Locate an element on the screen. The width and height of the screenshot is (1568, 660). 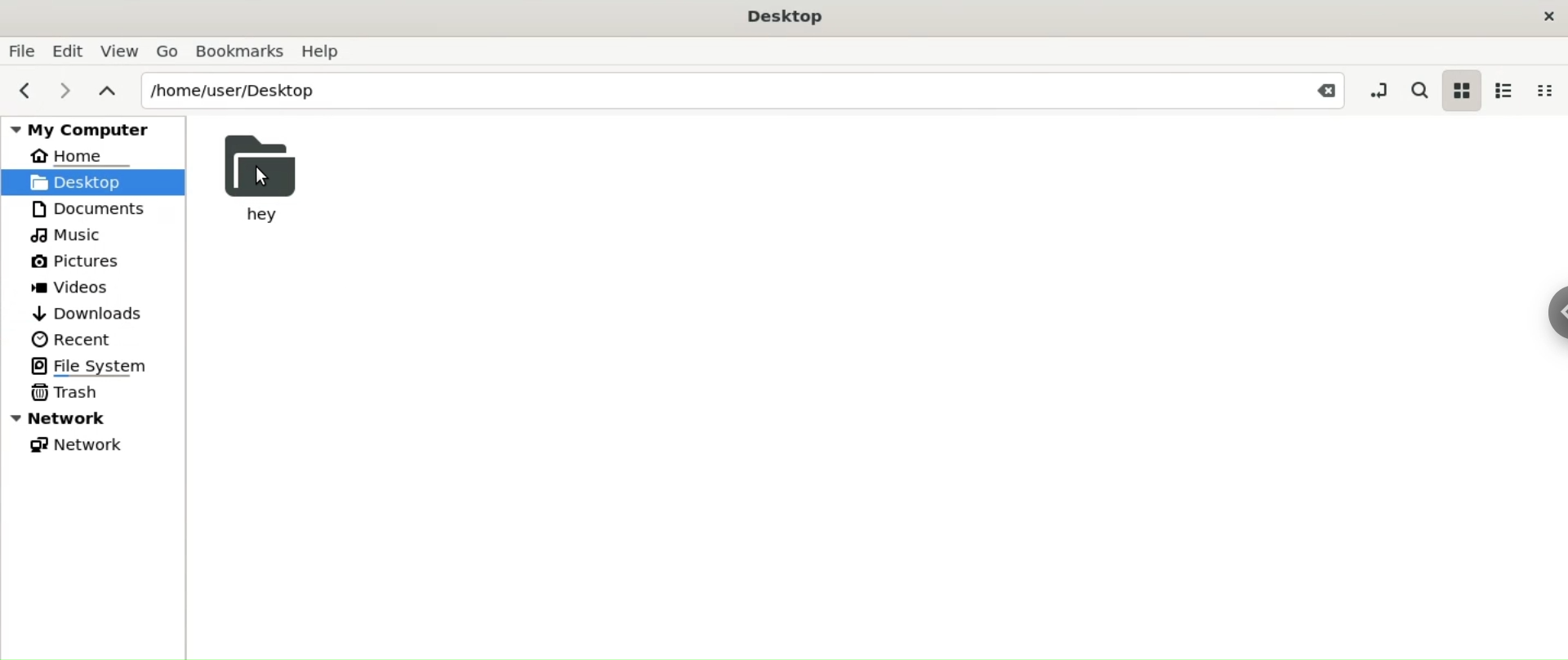
Close is located at coordinates (1325, 90).